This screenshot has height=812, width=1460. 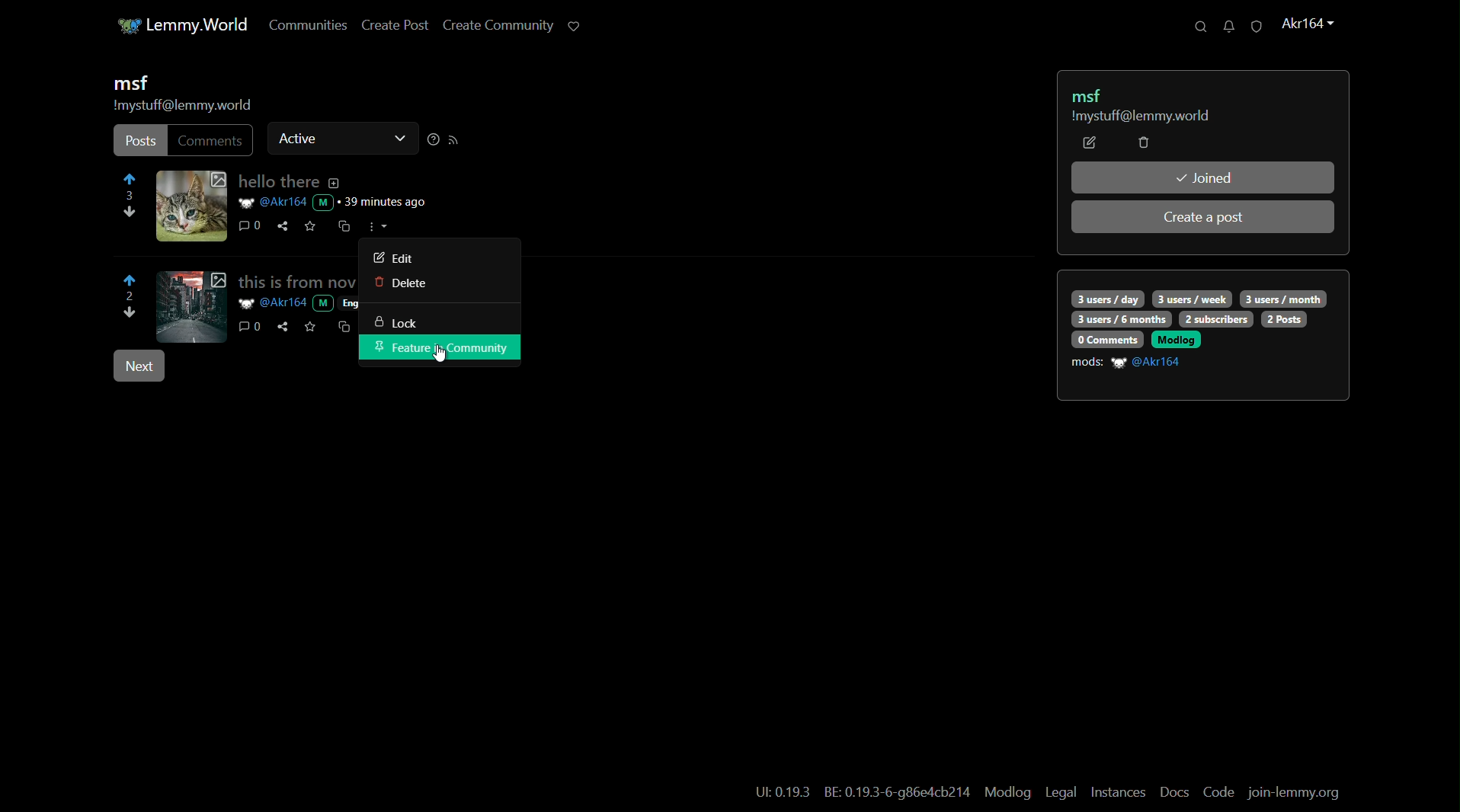 I want to click on sorting help, so click(x=431, y=140).